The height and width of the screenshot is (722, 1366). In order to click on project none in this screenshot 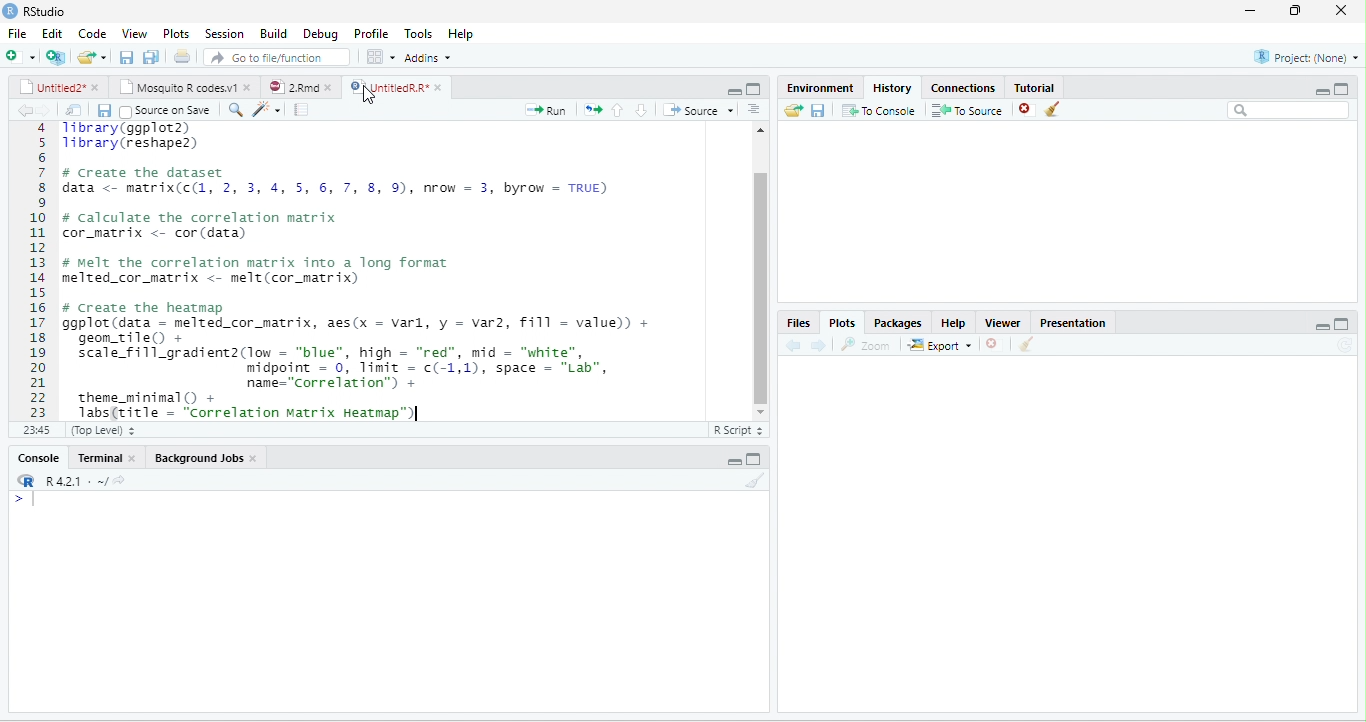, I will do `click(1295, 58)`.